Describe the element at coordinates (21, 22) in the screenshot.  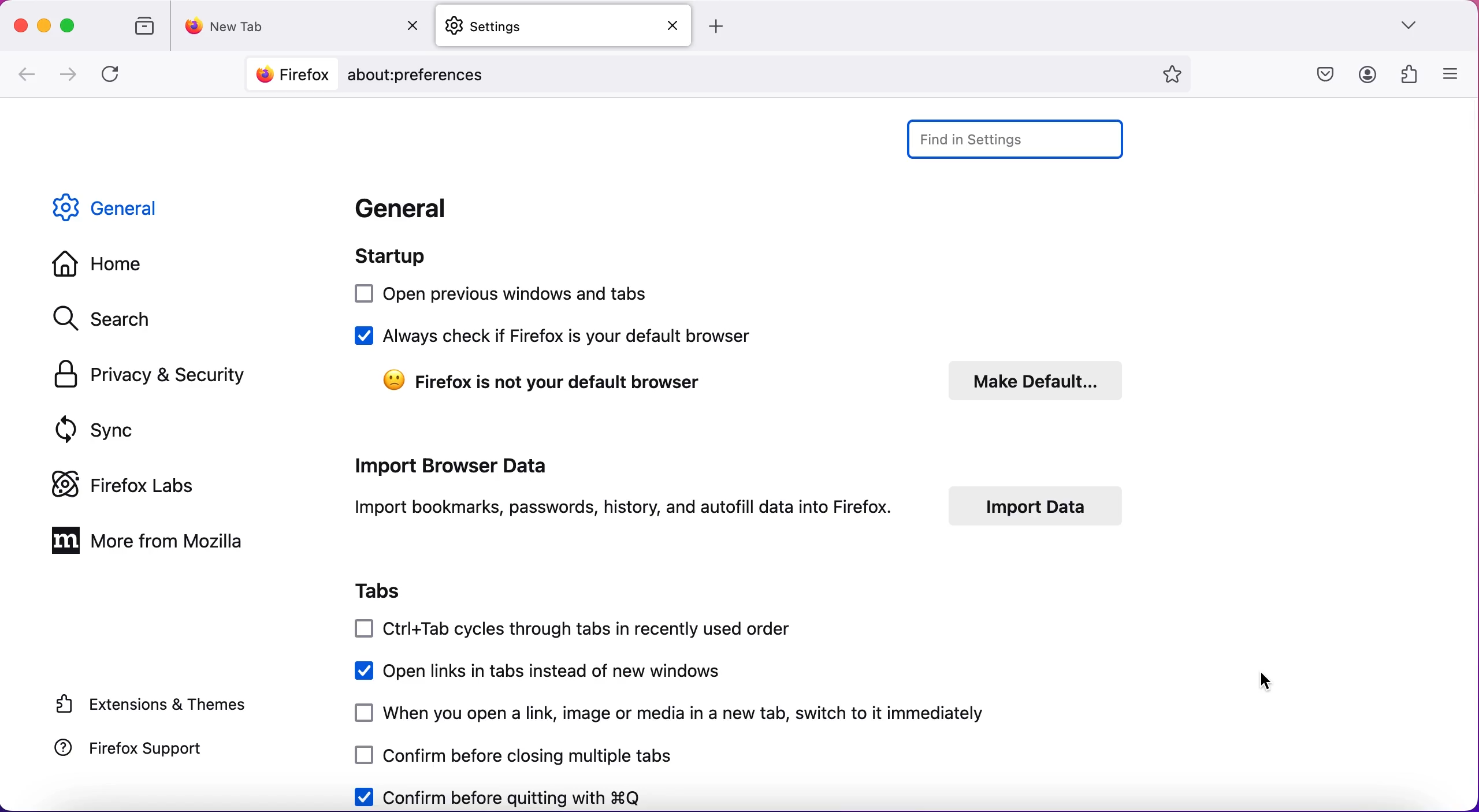
I see `close` at that location.